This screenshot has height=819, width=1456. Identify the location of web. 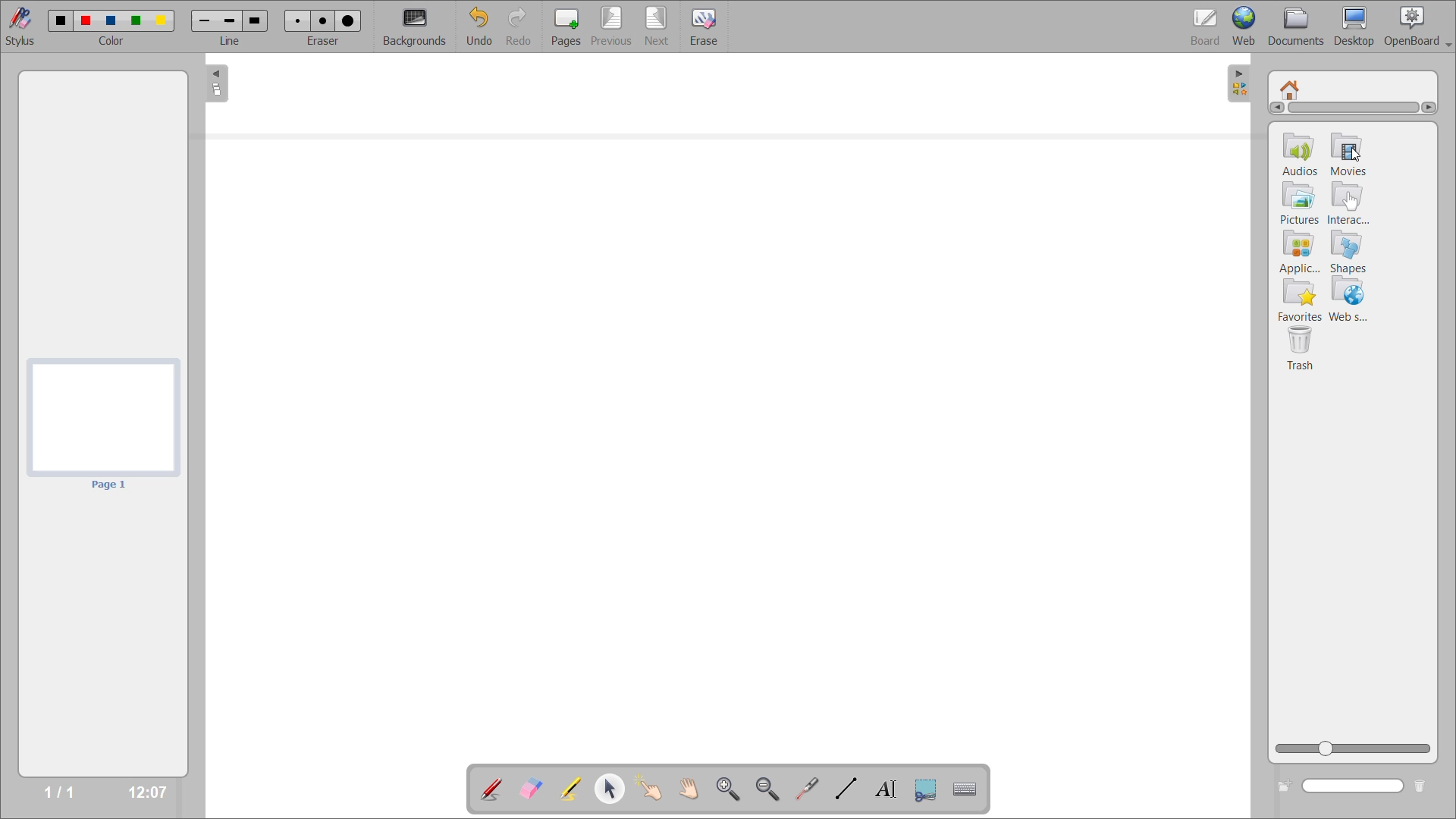
(1247, 27).